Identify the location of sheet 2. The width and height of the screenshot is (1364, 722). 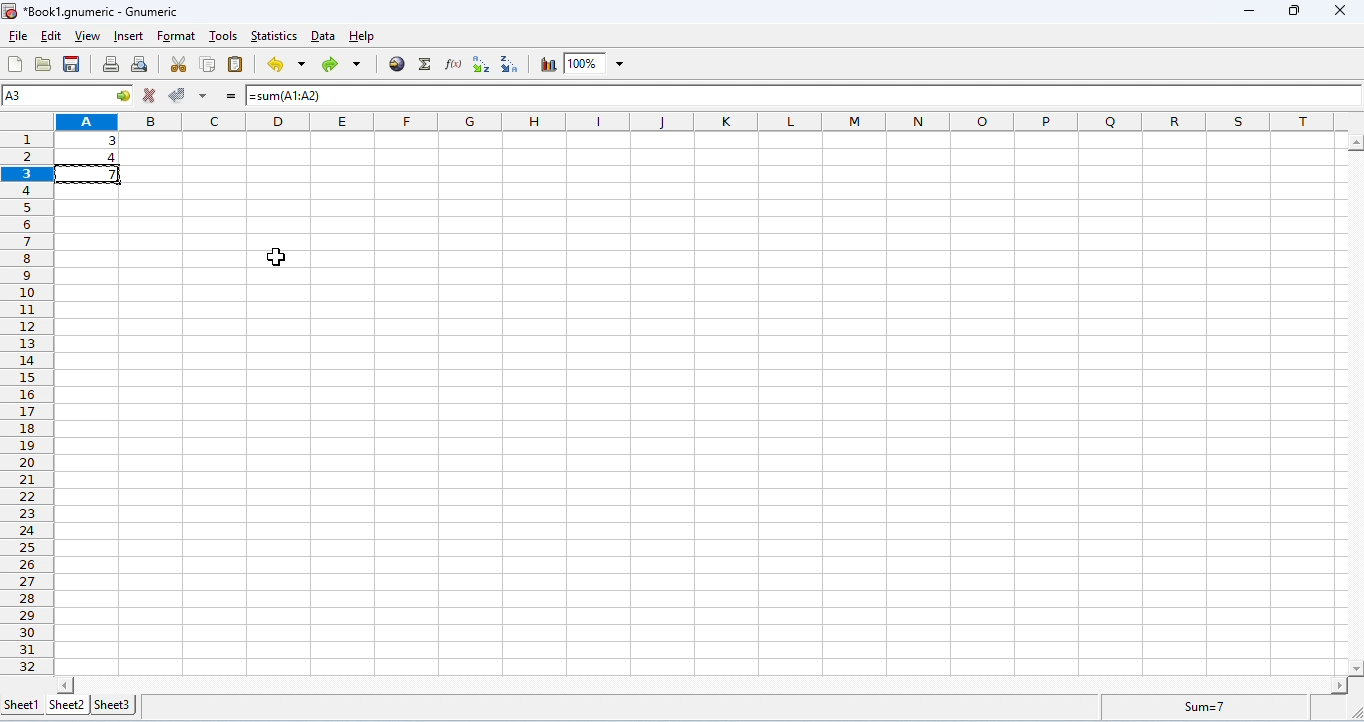
(66, 705).